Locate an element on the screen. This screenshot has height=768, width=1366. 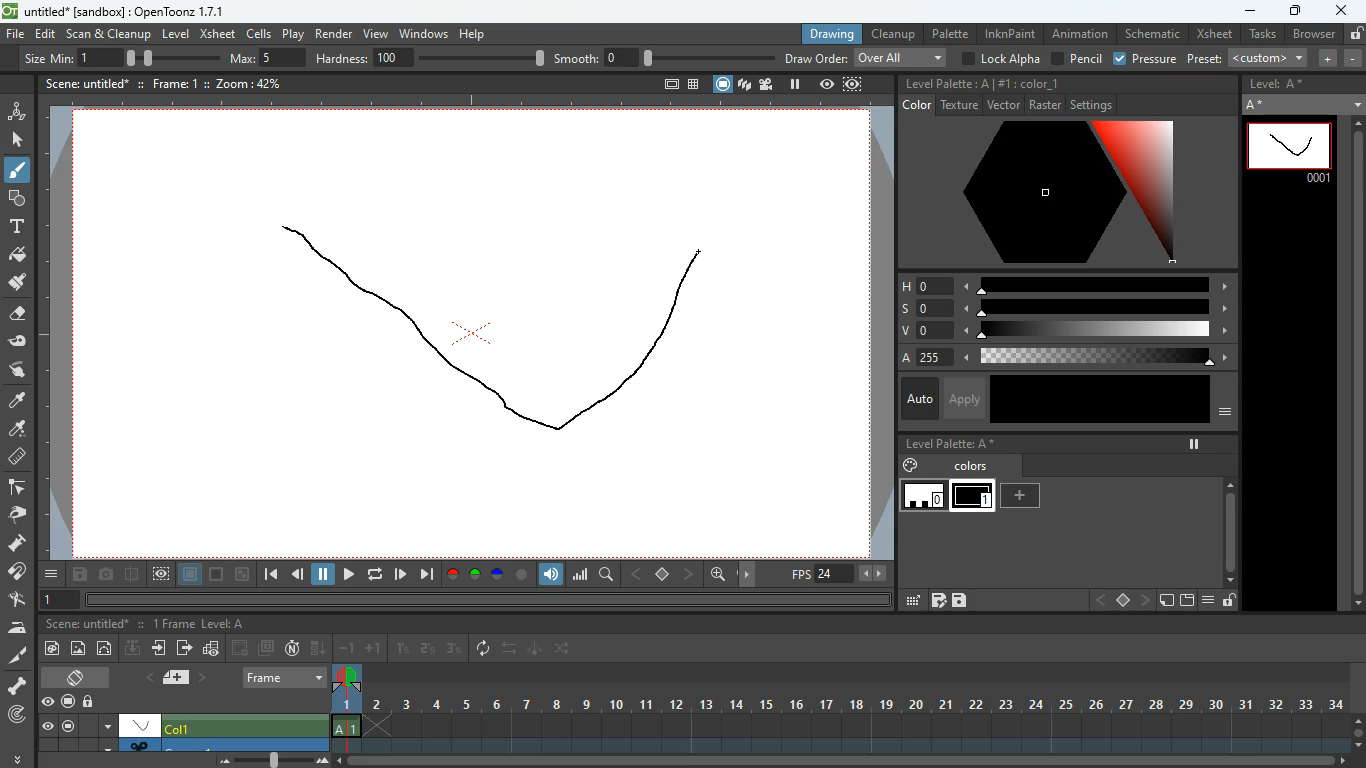
document is located at coordinates (180, 677).